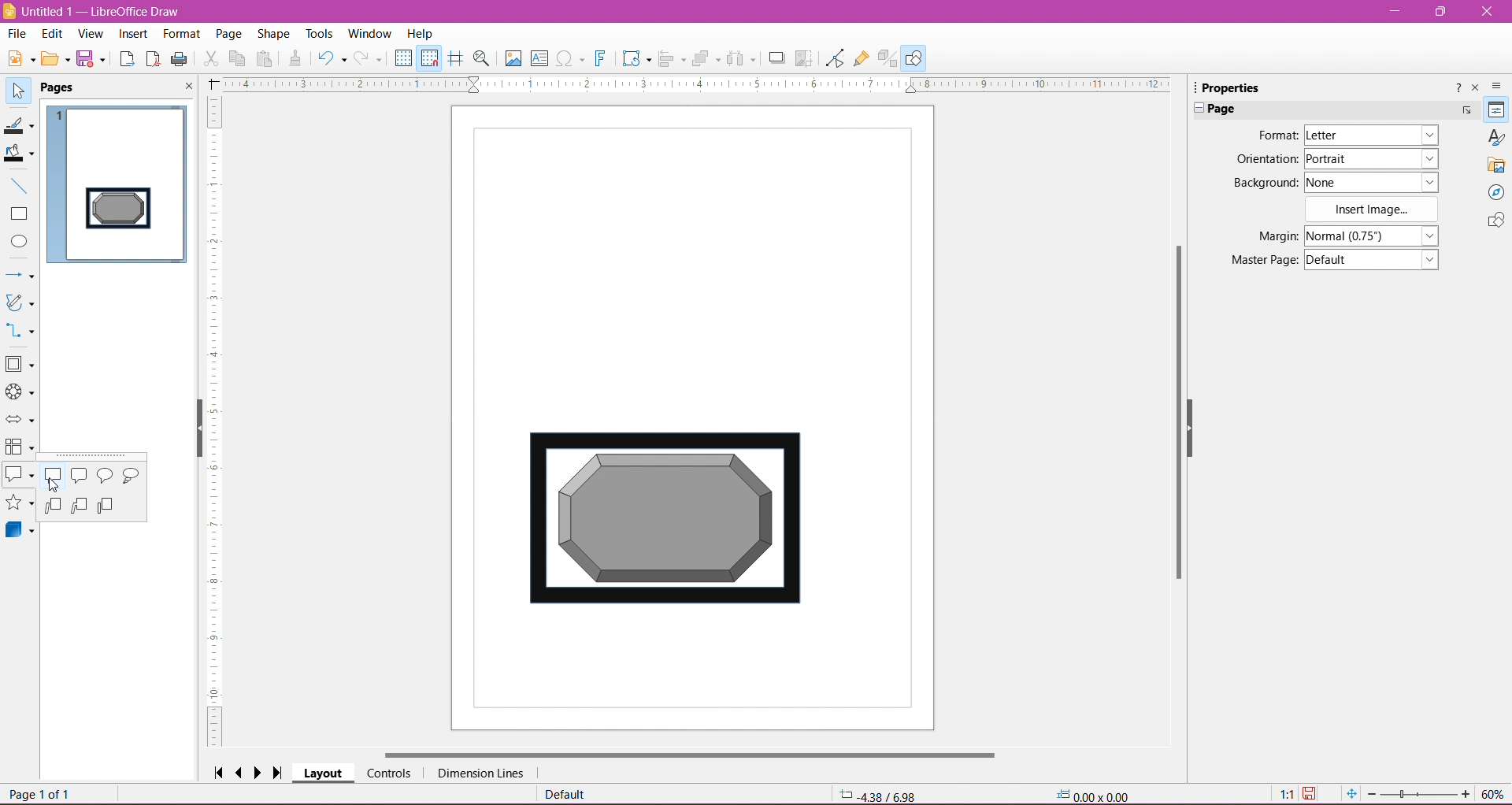 The width and height of the screenshot is (1512, 805). I want to click on Window, so click(372, 32).